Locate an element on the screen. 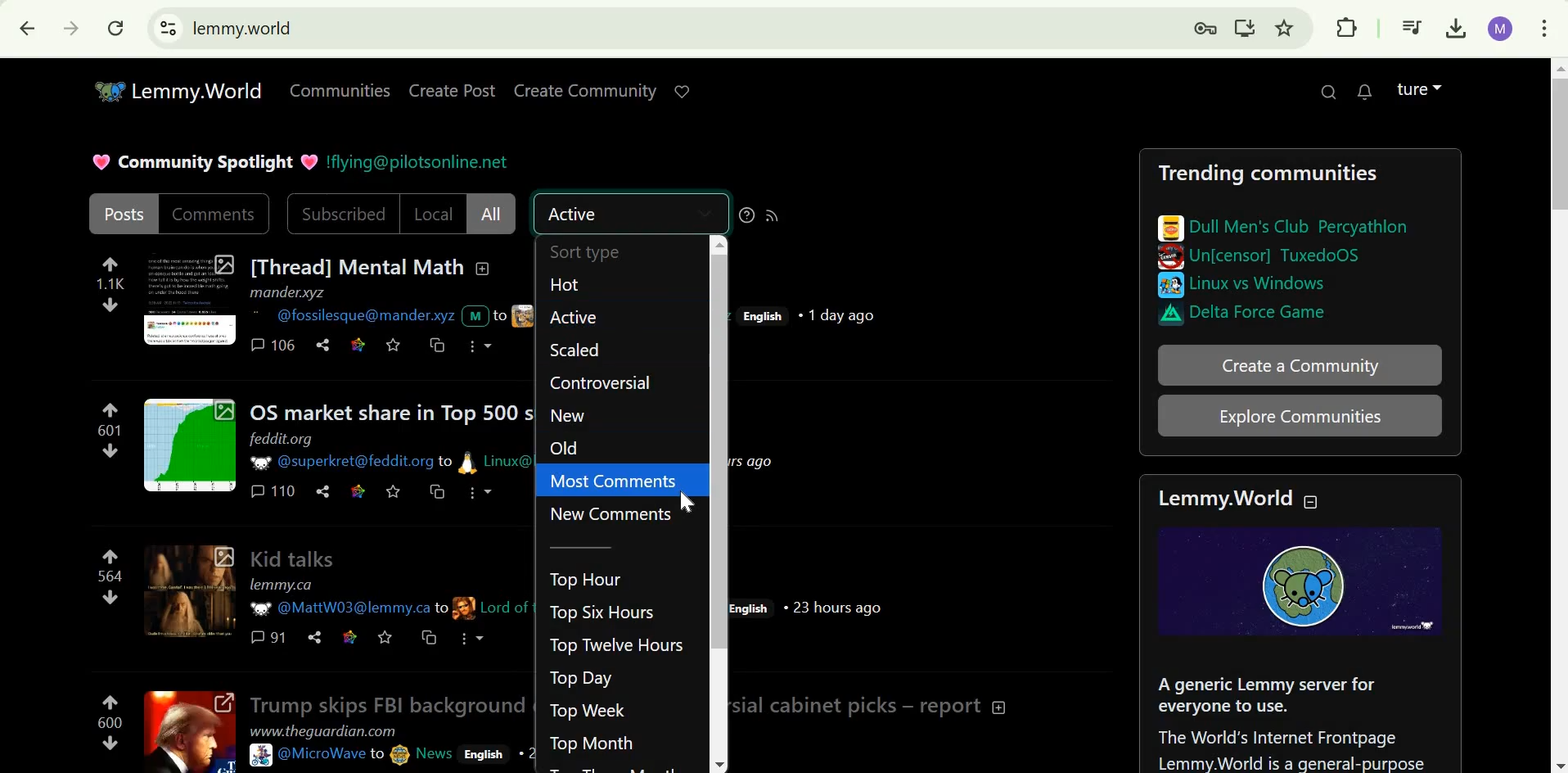  Search is located at coordinates (1326, 91).